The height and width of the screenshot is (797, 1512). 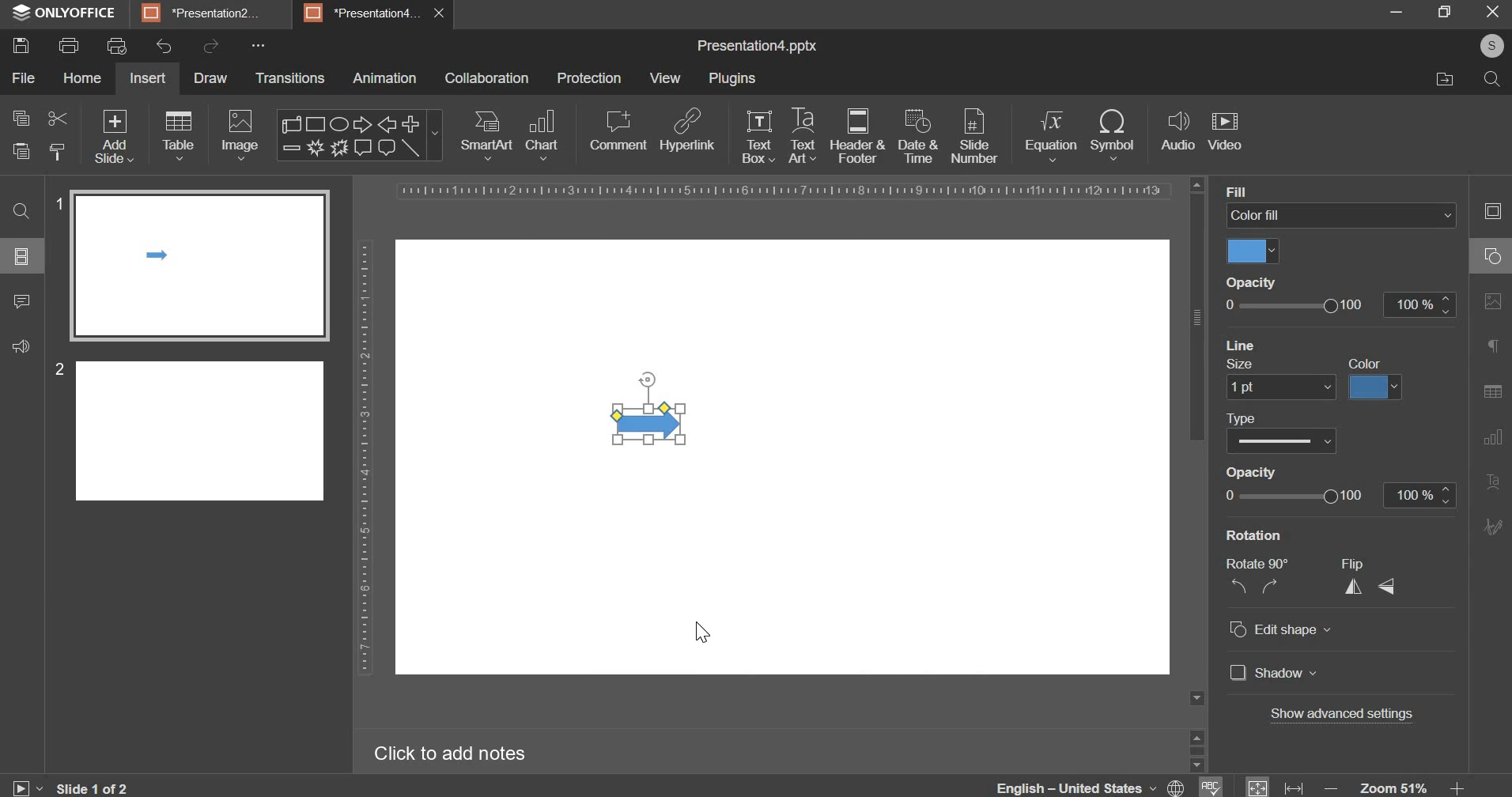 I want to click on arrow, so click(x=652, y=423).